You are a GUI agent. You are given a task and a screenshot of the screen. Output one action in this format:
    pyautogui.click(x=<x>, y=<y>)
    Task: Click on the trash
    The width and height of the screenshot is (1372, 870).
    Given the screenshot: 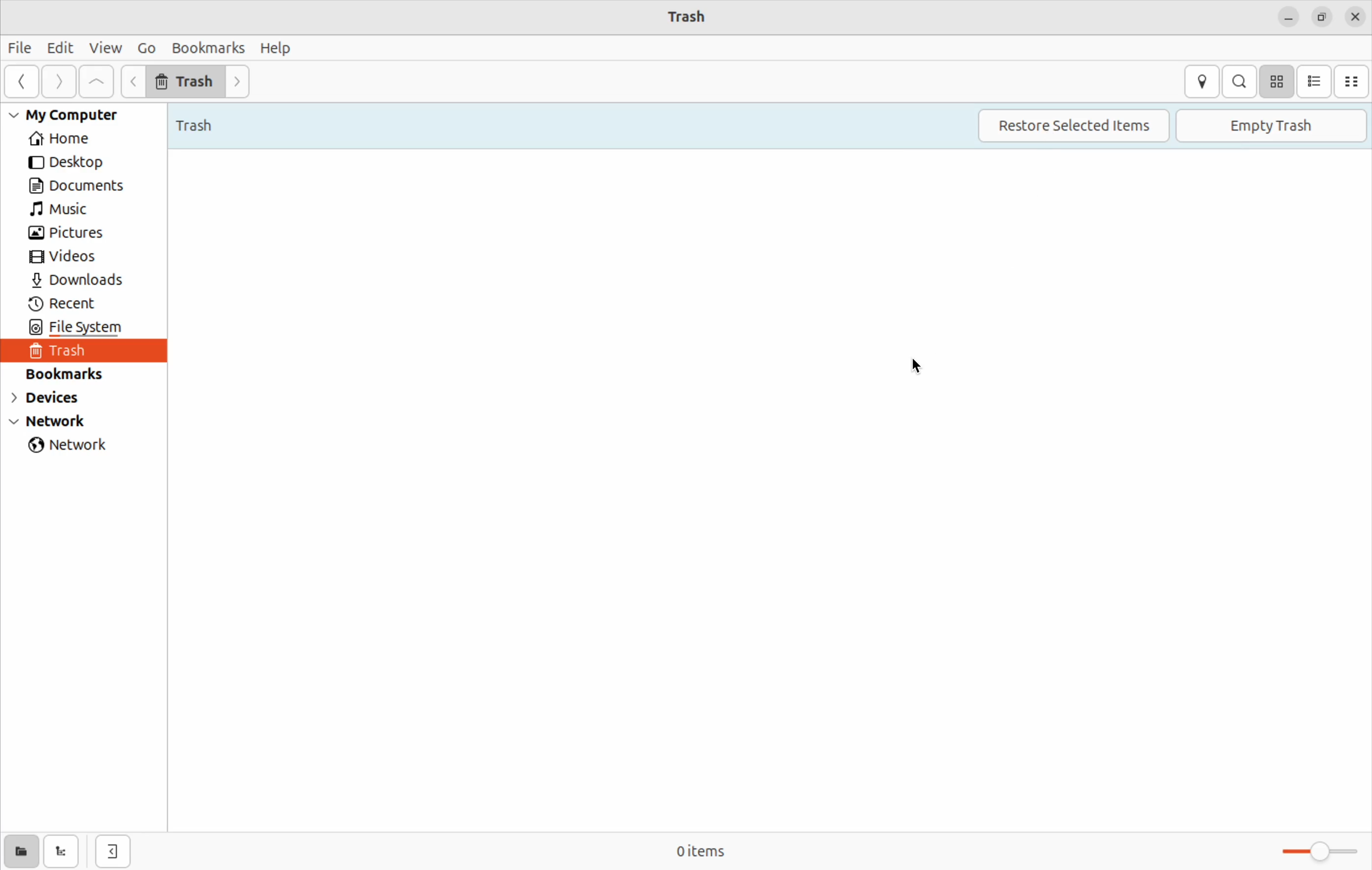 What is the action you would take?
    pyautogui.click(x=689, y=17)
    